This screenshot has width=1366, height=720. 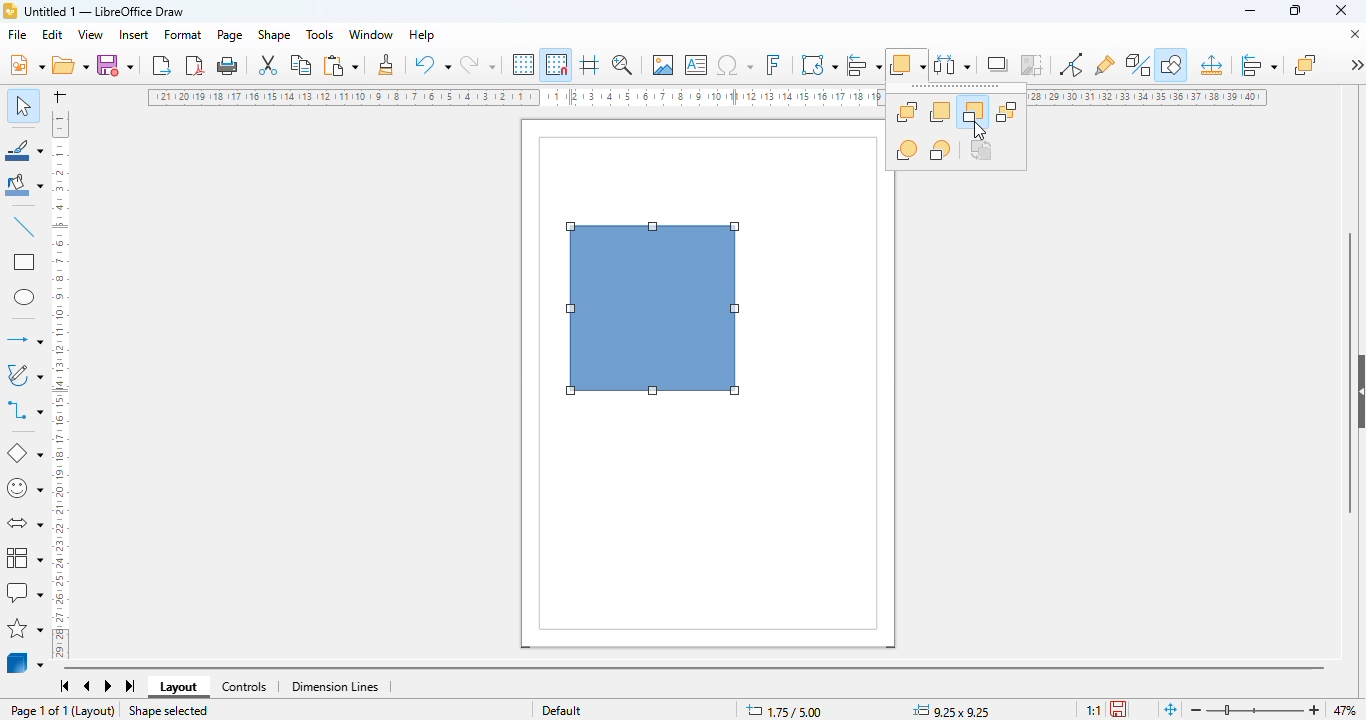 I want to click on zoom & pan, so click(x=622, y=64).